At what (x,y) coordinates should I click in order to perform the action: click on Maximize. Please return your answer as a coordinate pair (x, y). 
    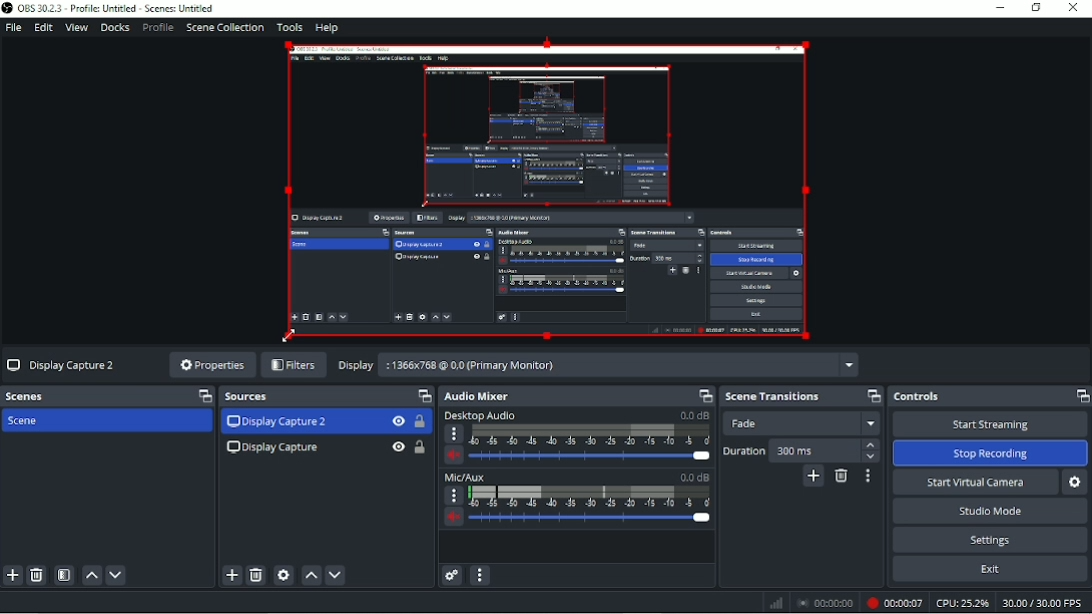
    Looking at the image, I should click on (200, 396).